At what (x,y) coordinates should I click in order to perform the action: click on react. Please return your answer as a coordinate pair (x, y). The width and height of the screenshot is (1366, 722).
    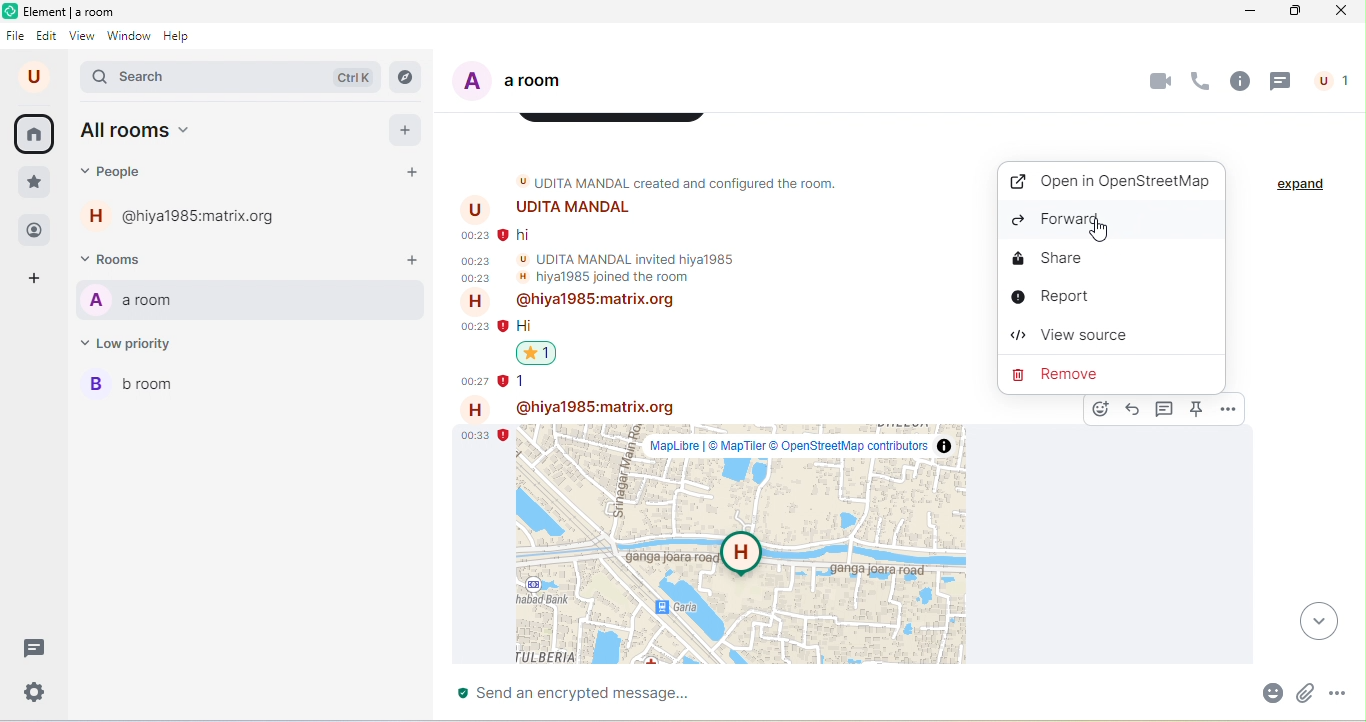
    Looking at the image, I should click on (1099, 411).